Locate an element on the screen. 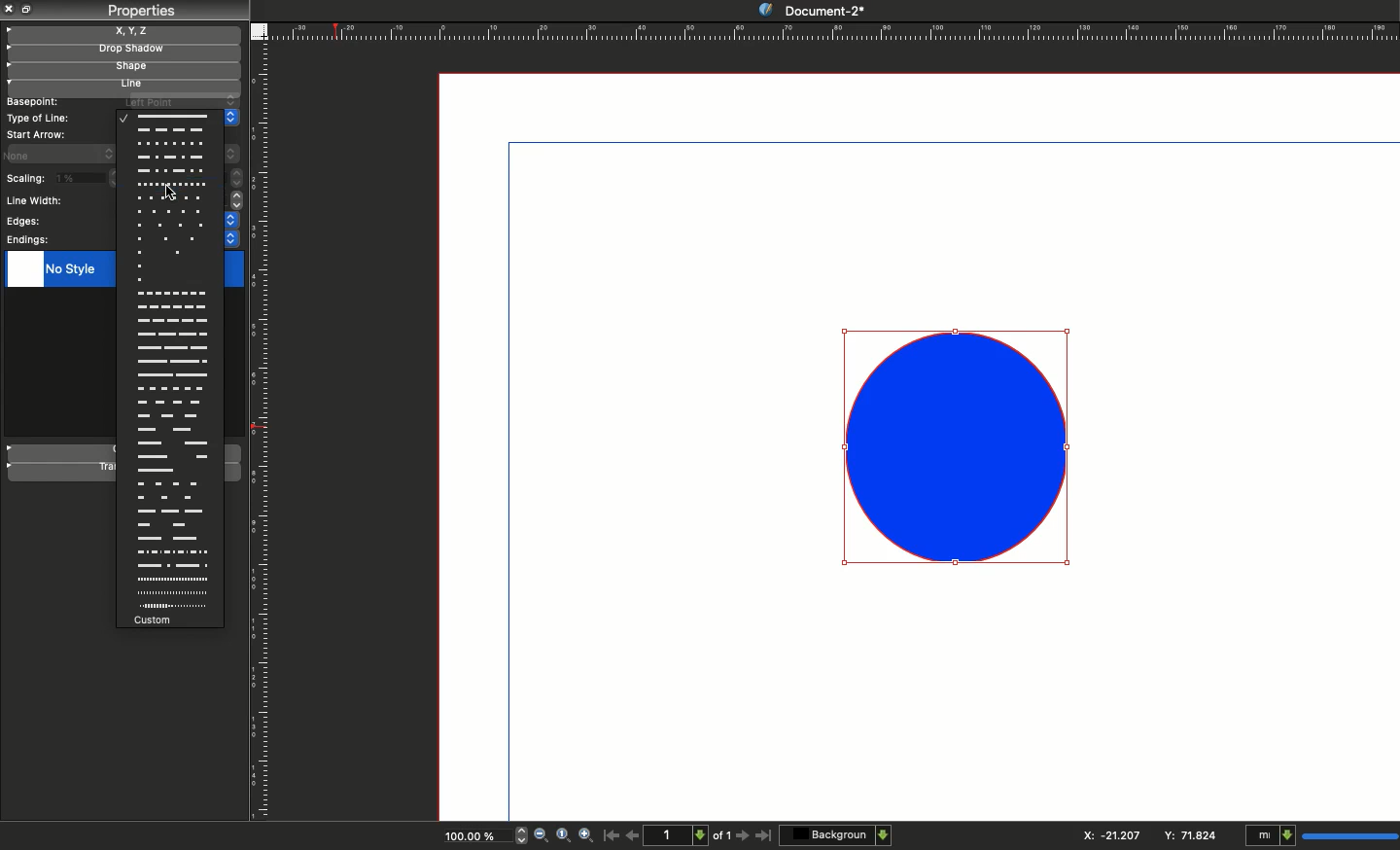 Image resolution: width=1400 pixels, height=850 pixels. Y: 84.706 is located at coordinates (1193, 834).